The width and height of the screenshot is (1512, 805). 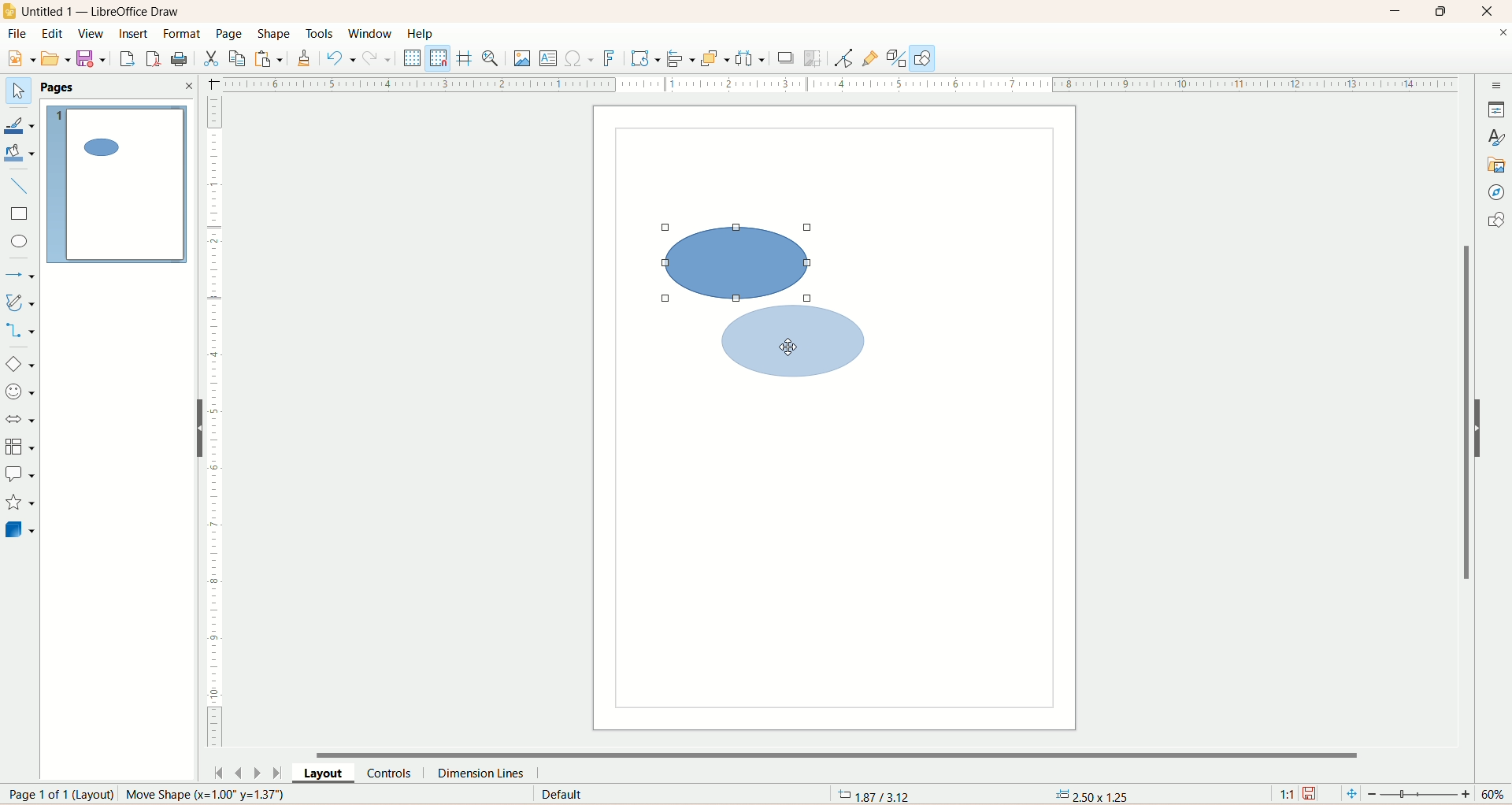 What do you see at coordinates (1399, 9) in the screenshot?
I see `minimize` at bounding box center [1399, 9].